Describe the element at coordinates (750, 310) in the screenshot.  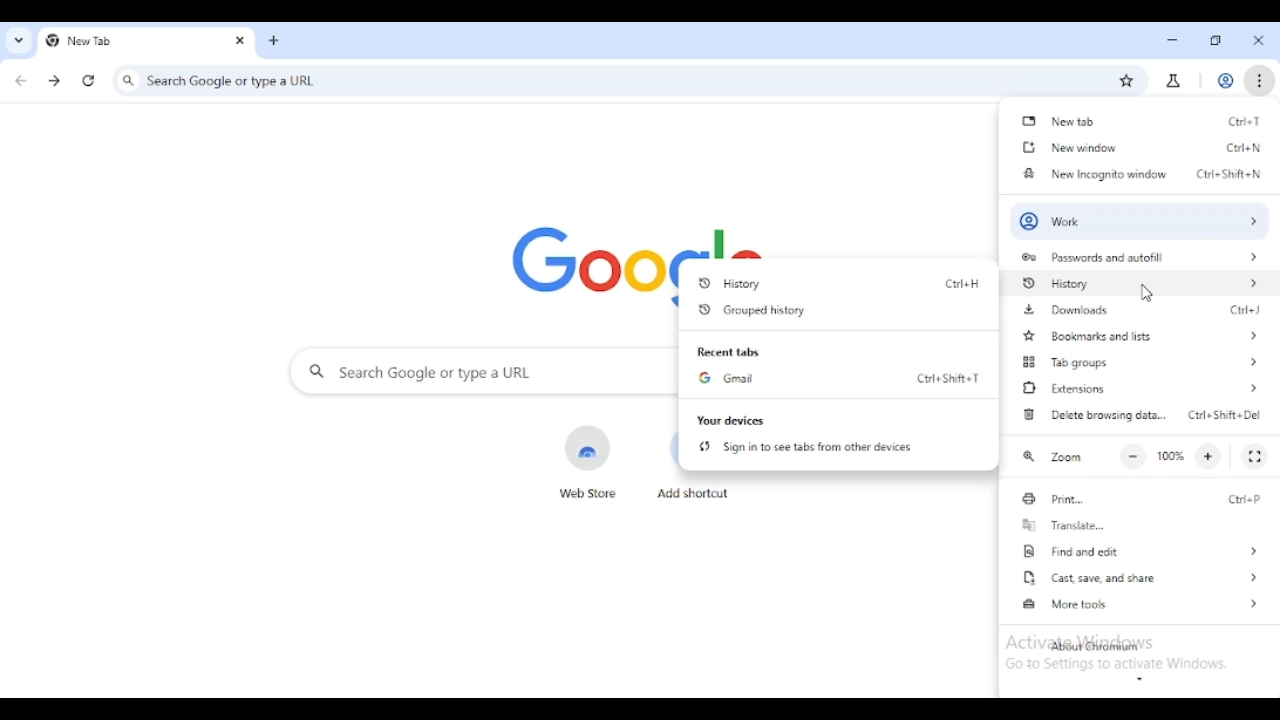
I see `grouped history` at that location.